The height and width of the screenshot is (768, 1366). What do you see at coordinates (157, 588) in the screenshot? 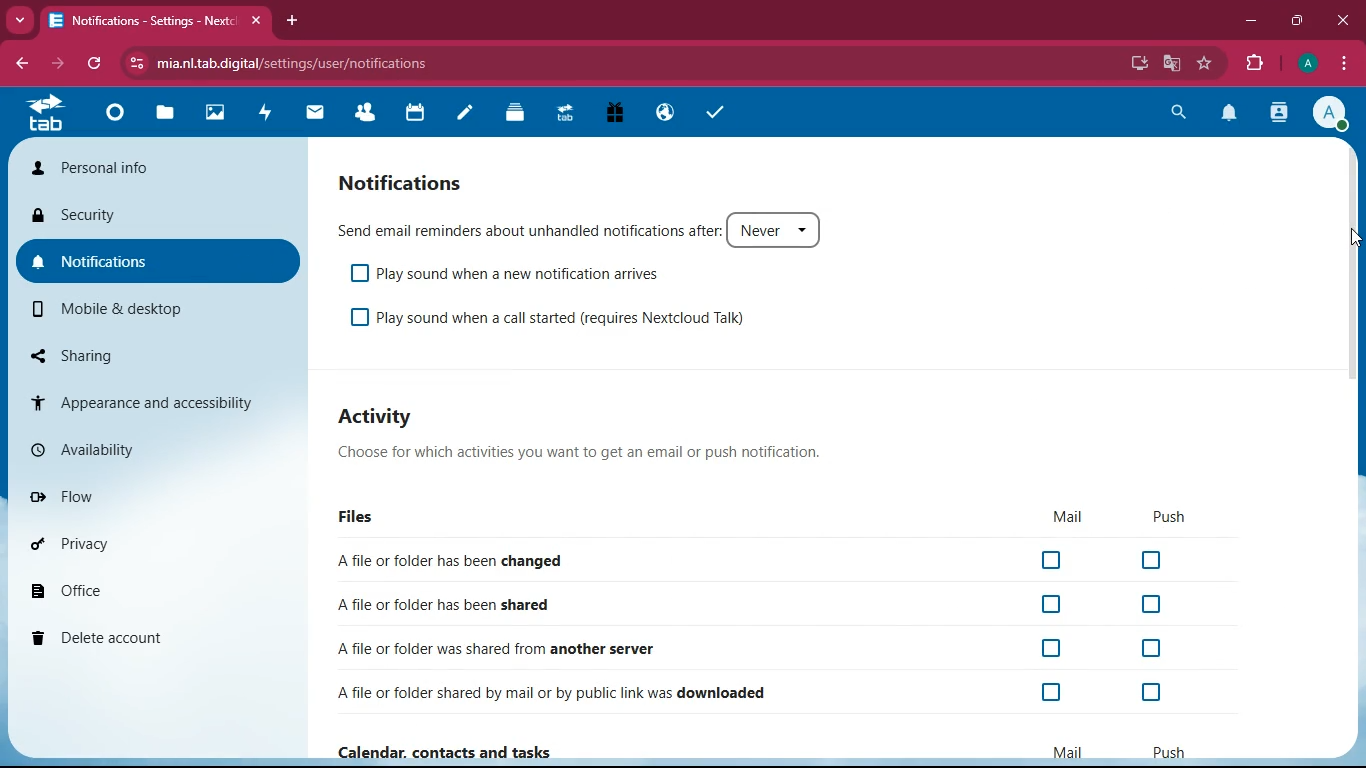
I see `office` at bounding box center [157, 588].